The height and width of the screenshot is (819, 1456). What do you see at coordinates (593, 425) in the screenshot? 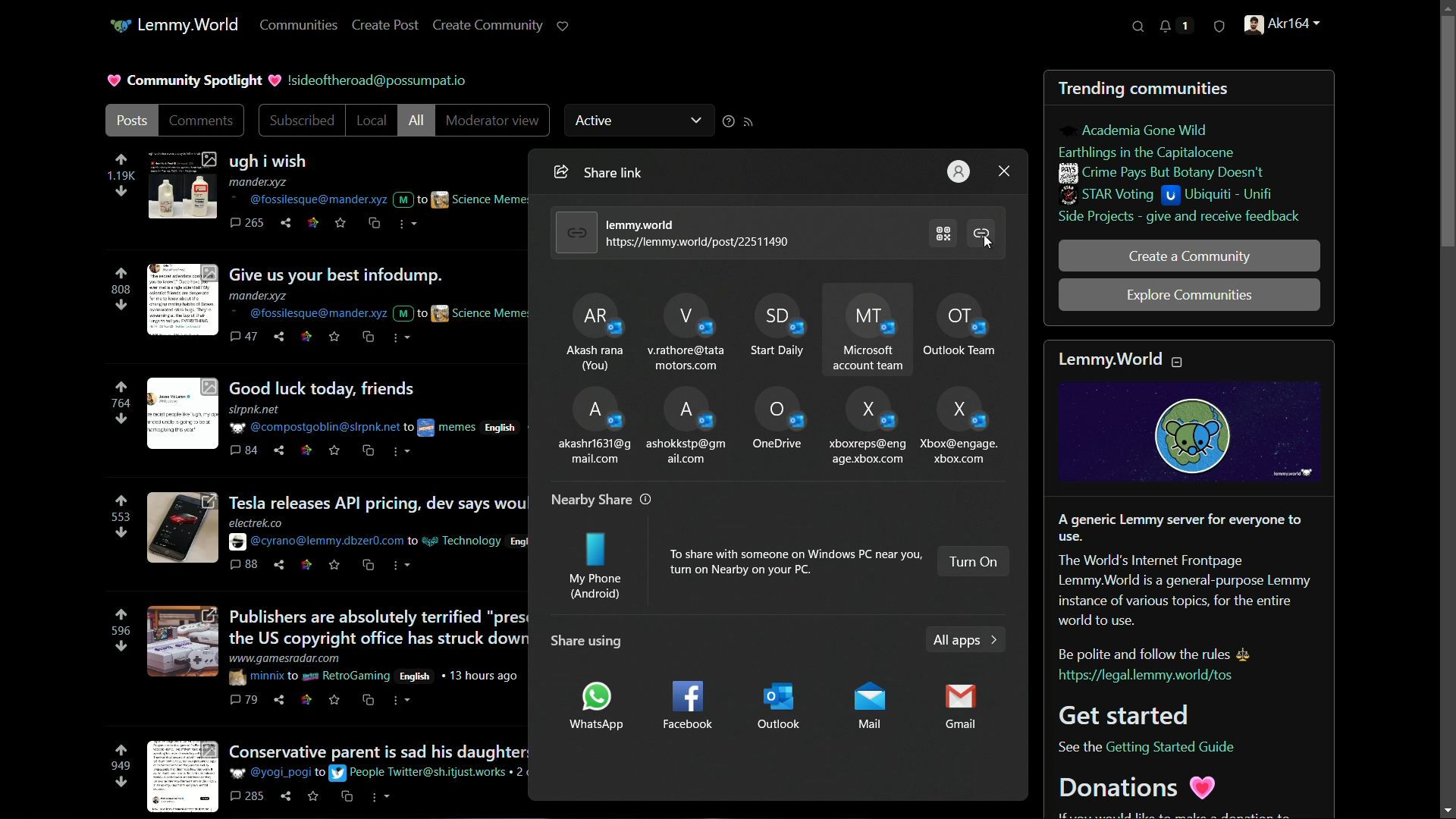
I see `akashr1631@gmail.com` at bounding box center [593, 425].